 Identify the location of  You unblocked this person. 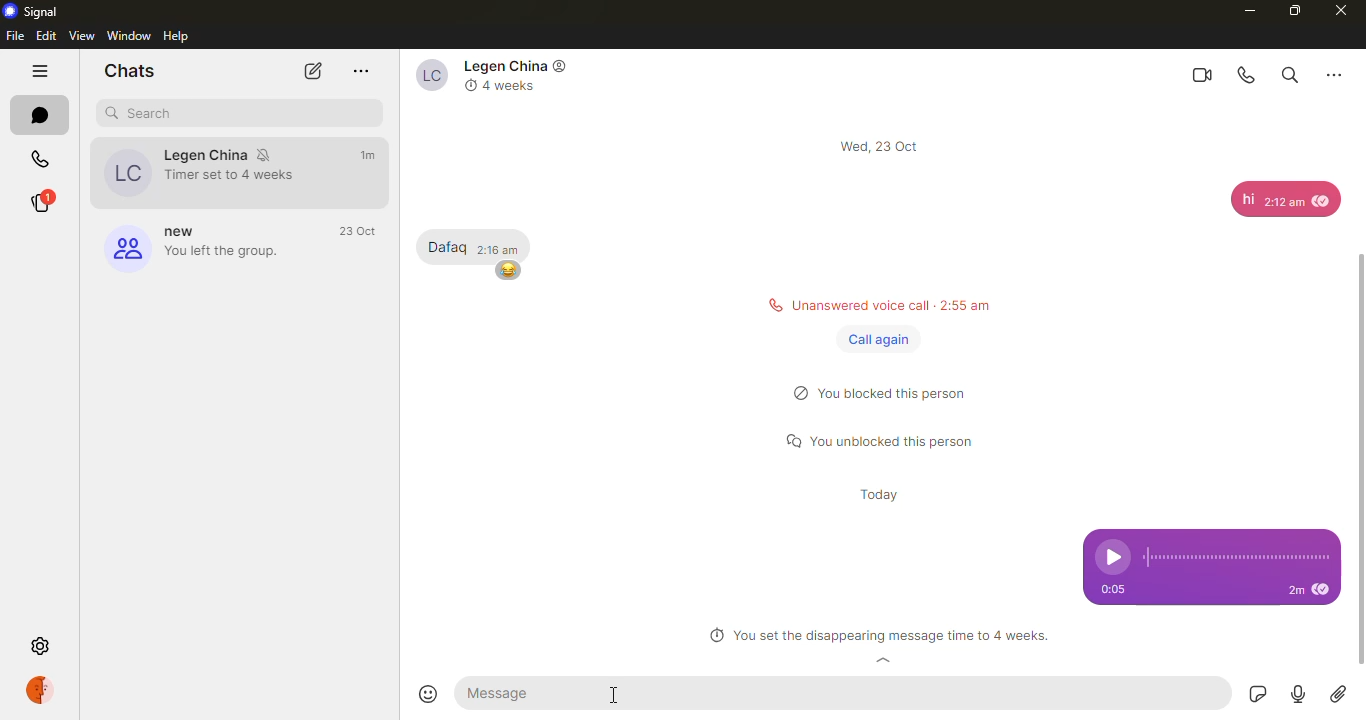
(887, 442).